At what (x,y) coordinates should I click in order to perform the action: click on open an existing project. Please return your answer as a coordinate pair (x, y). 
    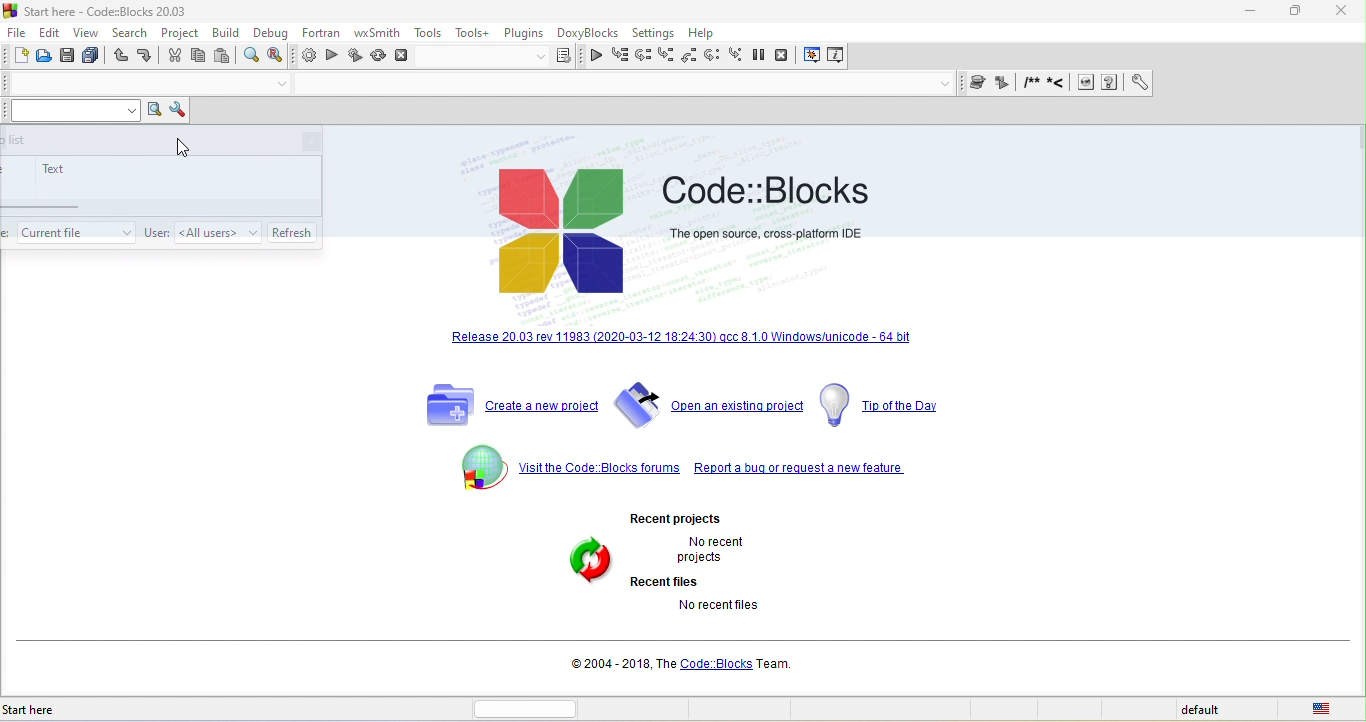
    Looking at the image, I should click on (709, 408).